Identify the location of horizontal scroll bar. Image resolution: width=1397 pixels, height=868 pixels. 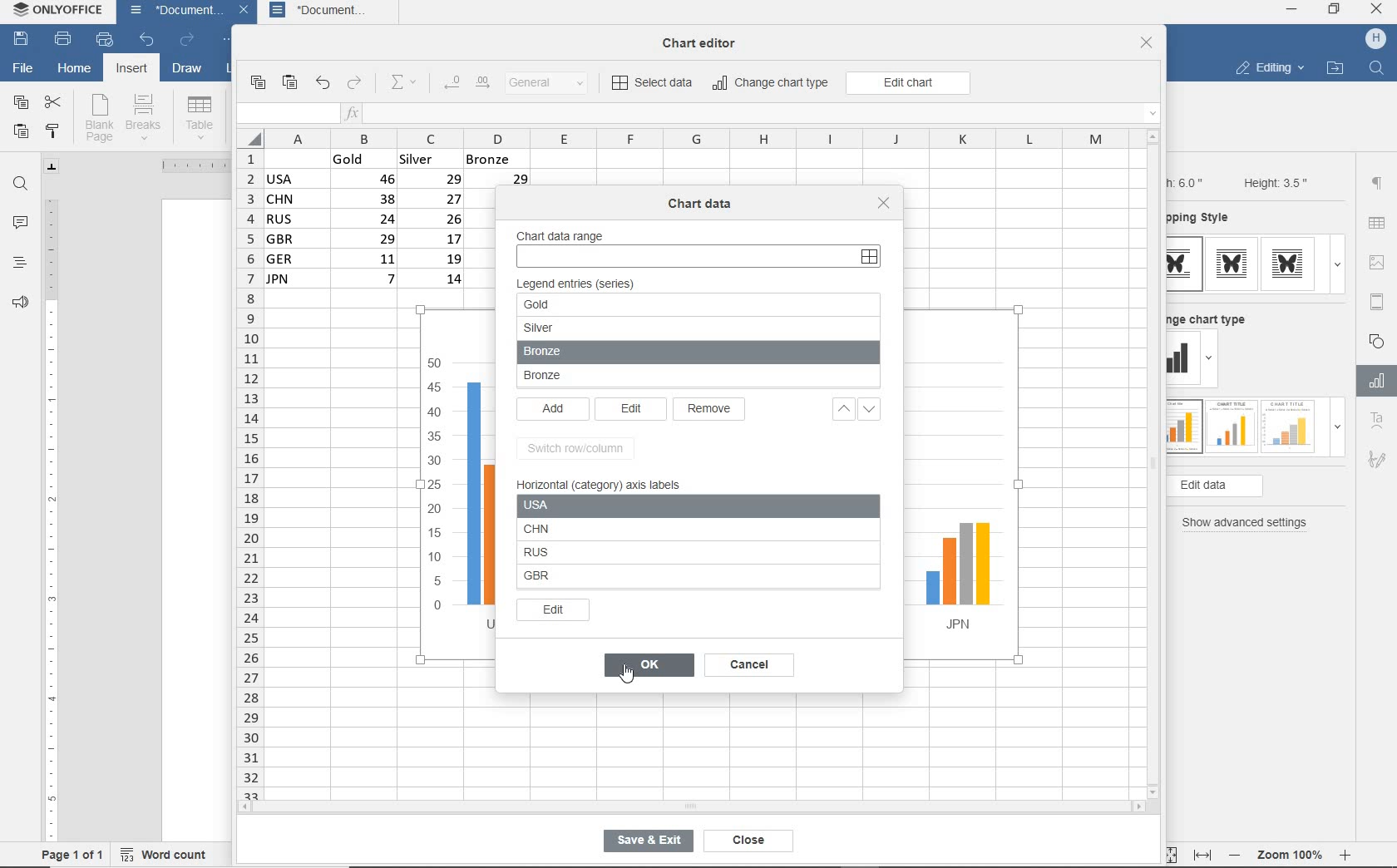
(690, 806).